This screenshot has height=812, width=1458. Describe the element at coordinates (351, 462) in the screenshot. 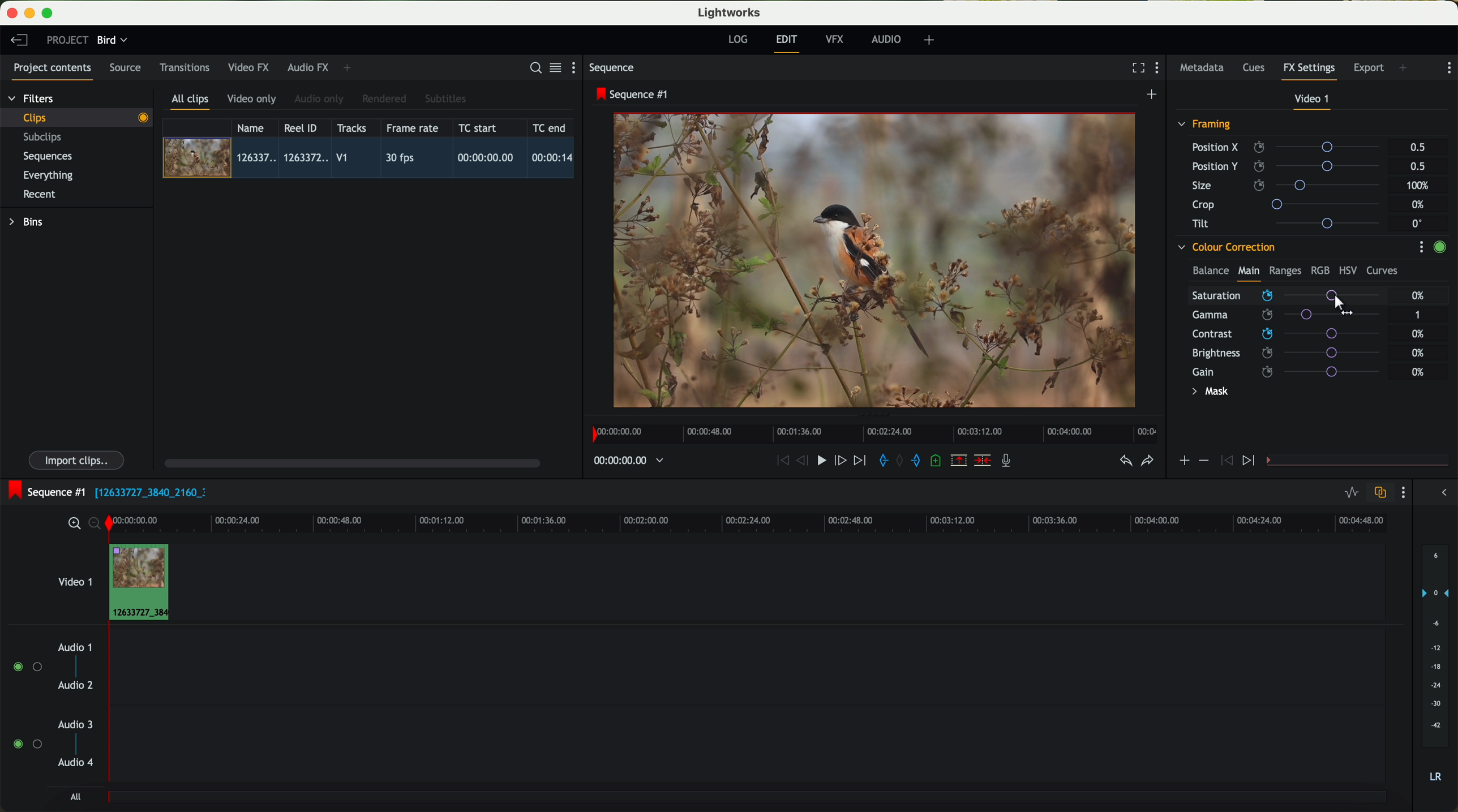

I see `scroll bar` at that location.